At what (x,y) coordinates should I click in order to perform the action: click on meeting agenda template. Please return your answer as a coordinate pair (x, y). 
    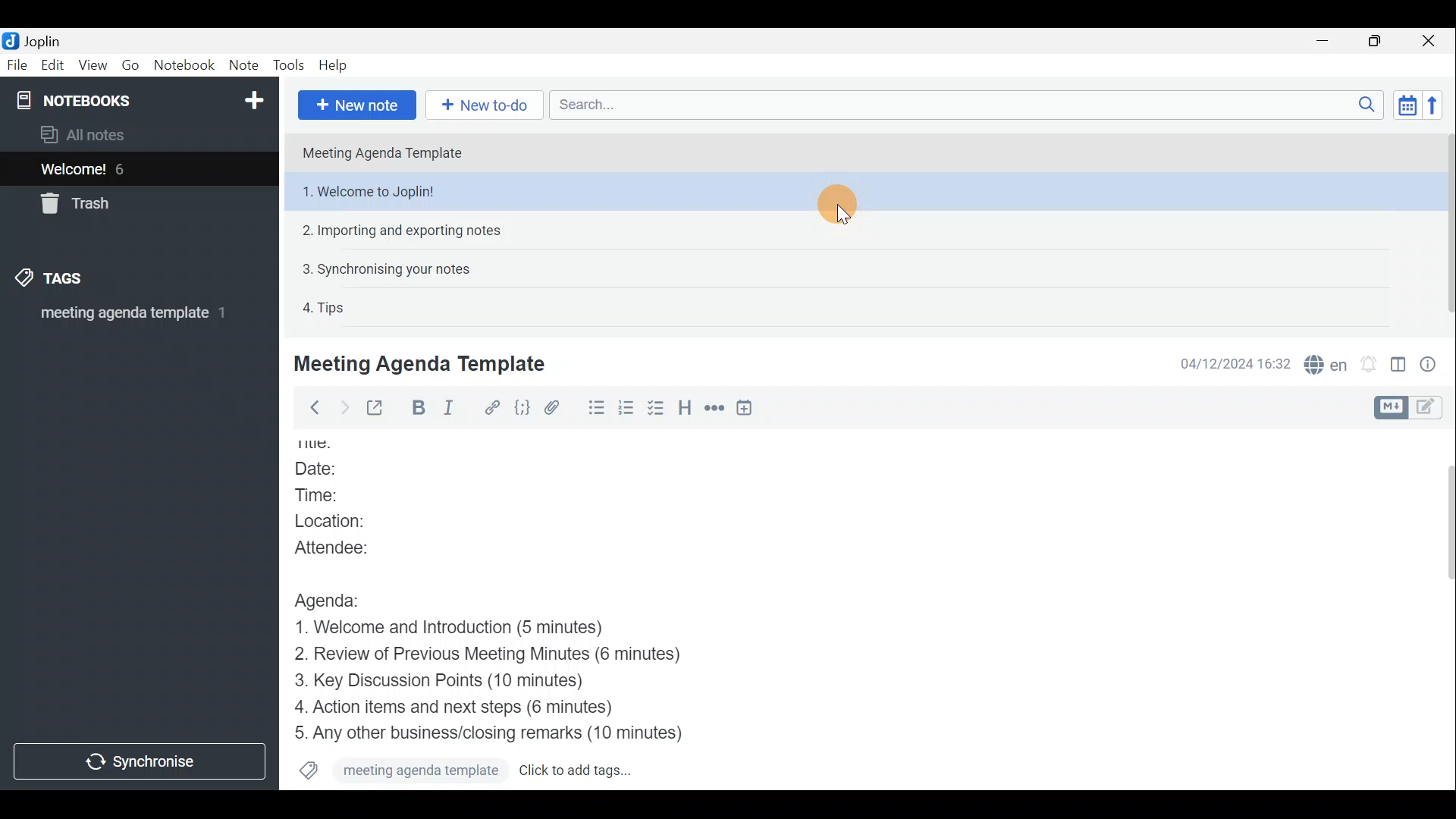
    Looking at the image, I should click on (401, 771).